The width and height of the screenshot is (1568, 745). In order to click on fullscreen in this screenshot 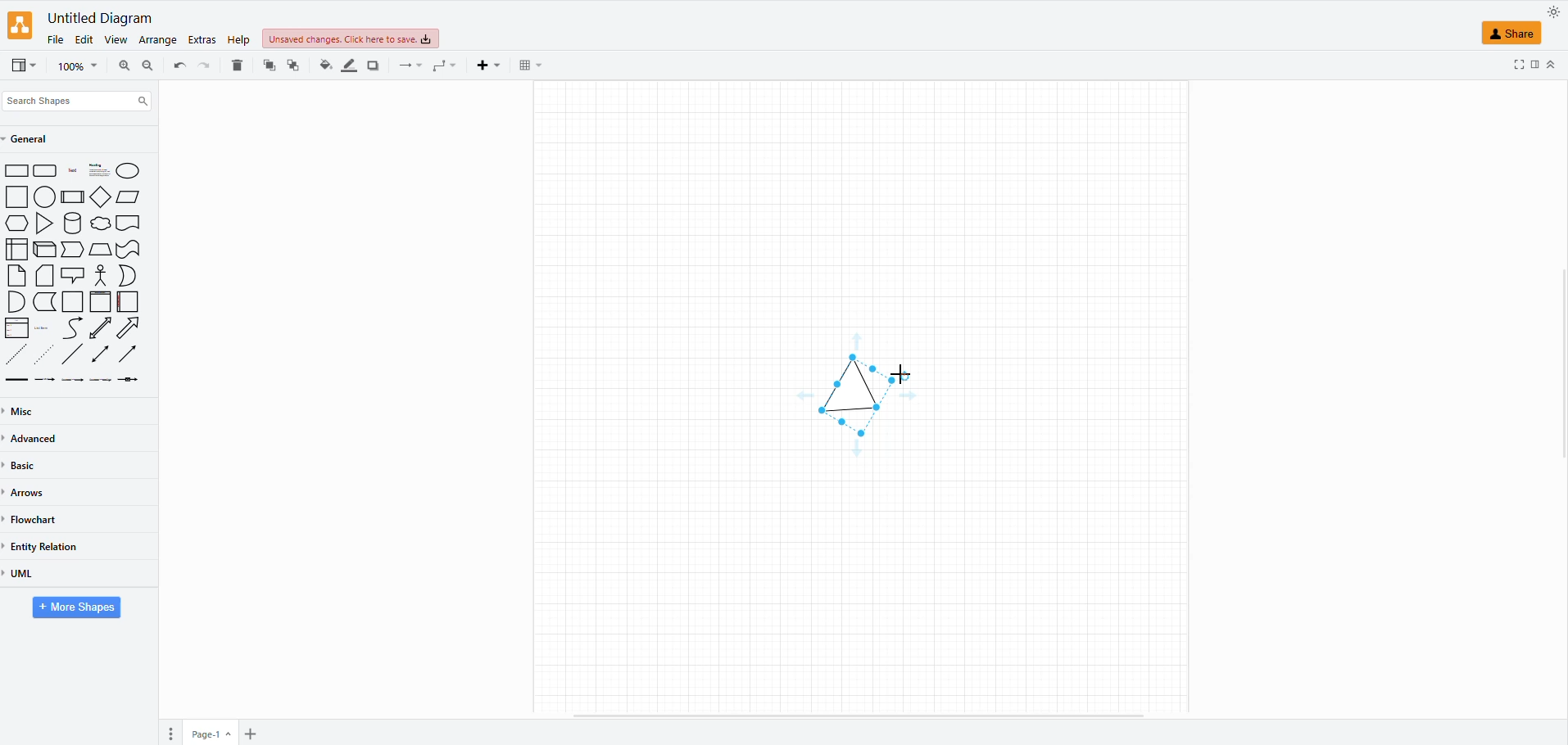, I will do `click(1518, 65)`.